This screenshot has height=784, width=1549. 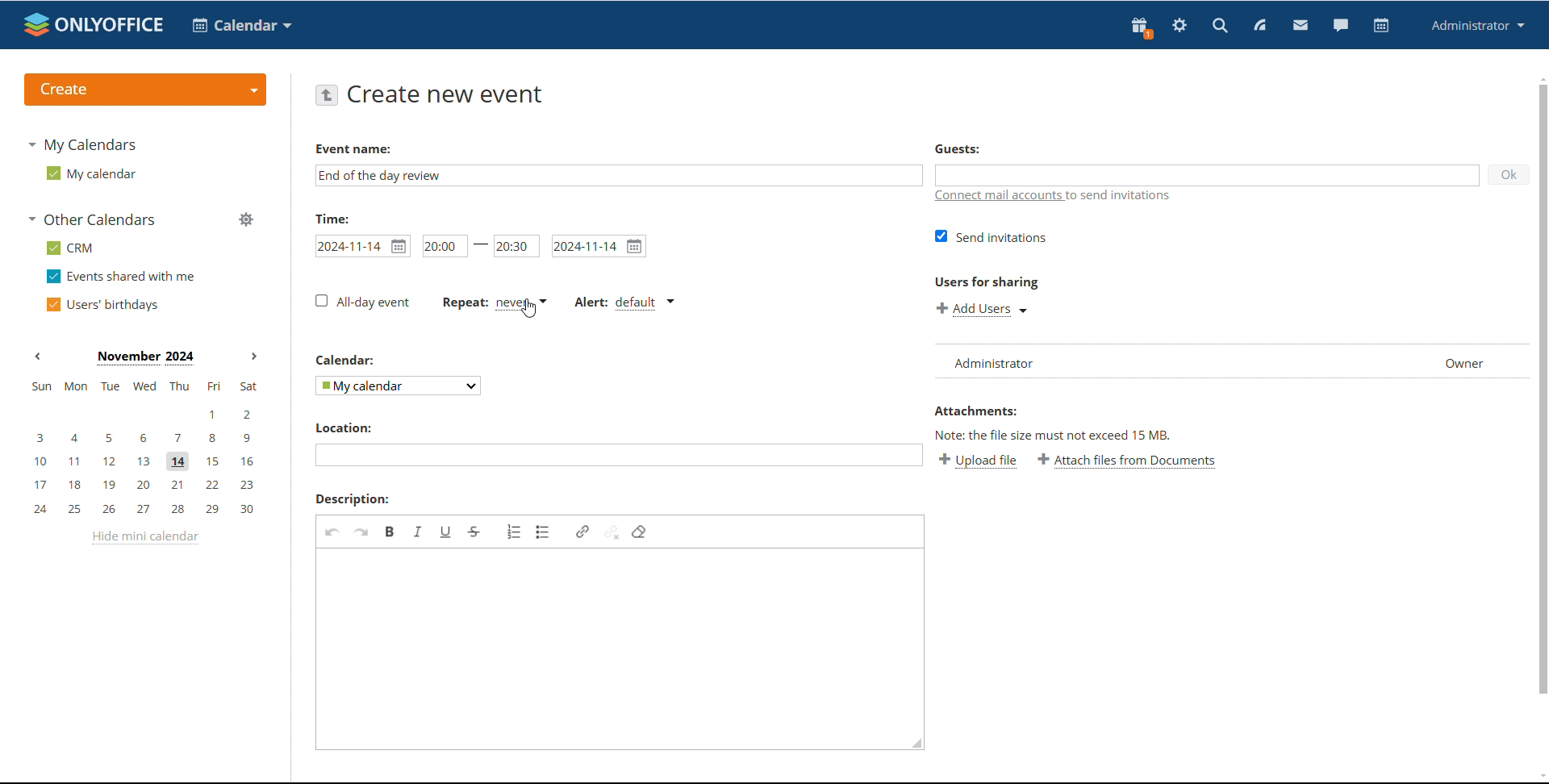 I want to click on event repetition, so click(x=493, y=302).